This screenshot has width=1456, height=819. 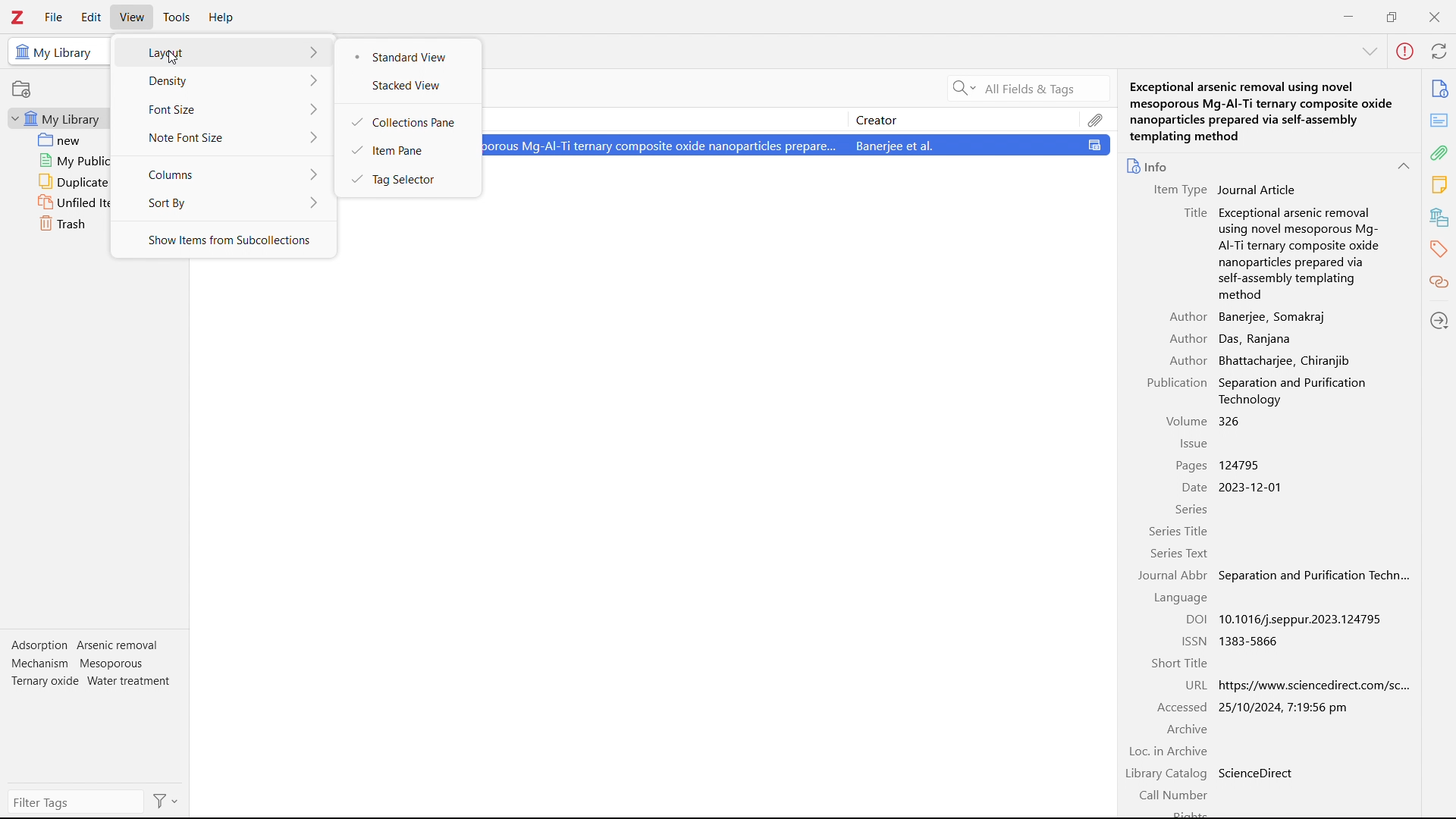 I want to click on note font size, so click(x=224, y=136).